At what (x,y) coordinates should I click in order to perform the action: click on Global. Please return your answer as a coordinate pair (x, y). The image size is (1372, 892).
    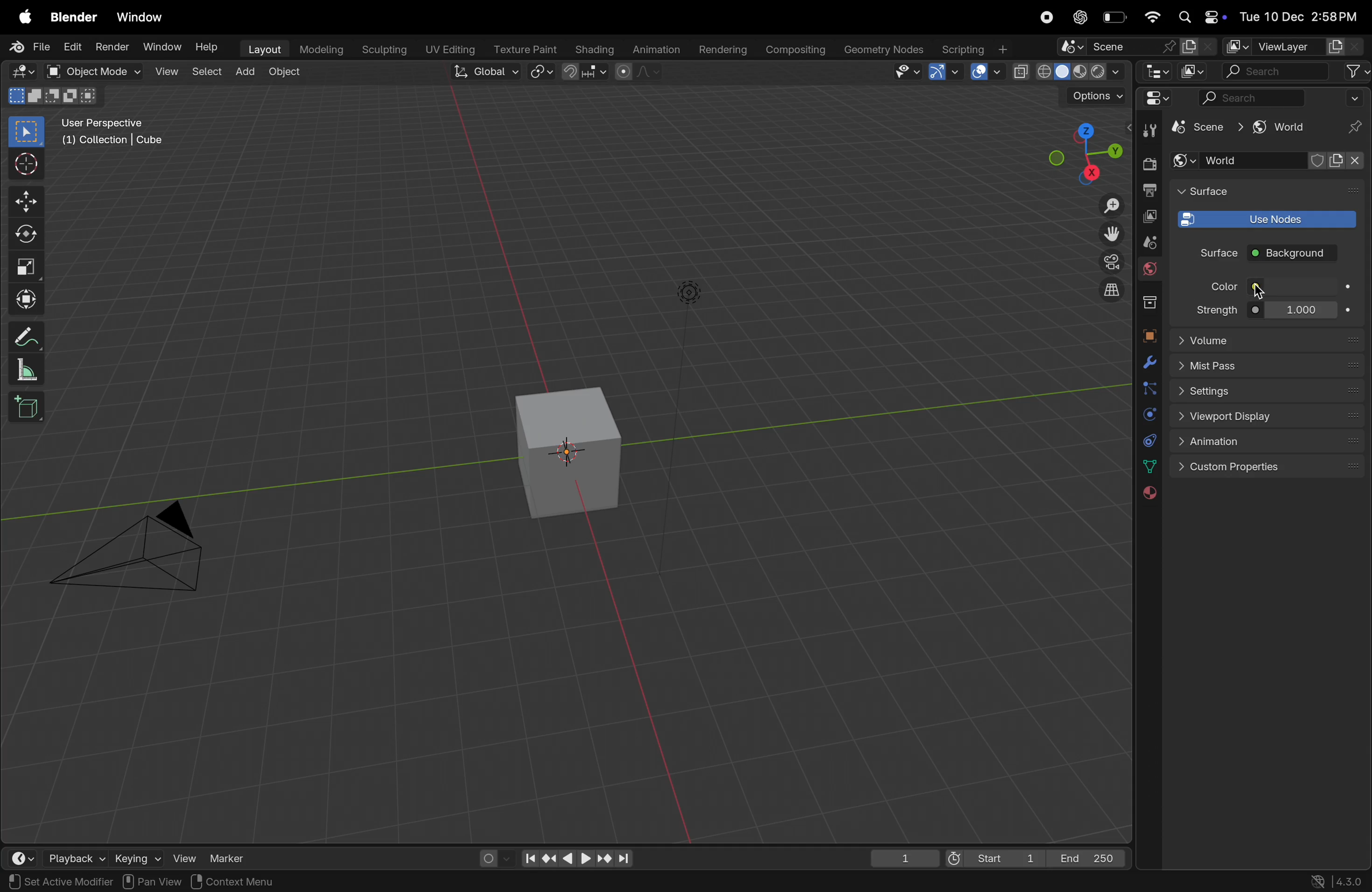
    Looking at the image, I should click on (482, 71).